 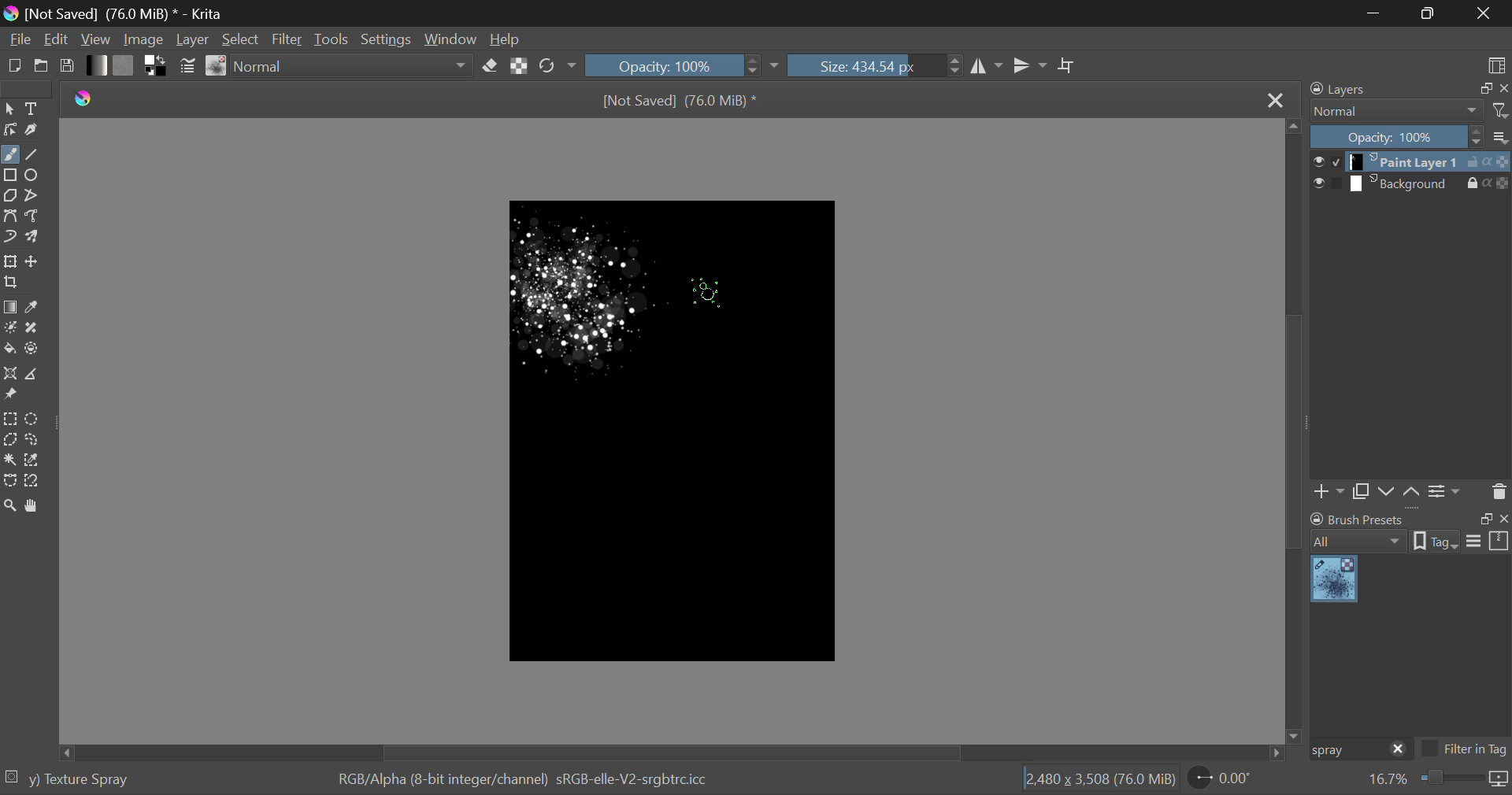 I want to click on Edit, so click(x=57, y=39).